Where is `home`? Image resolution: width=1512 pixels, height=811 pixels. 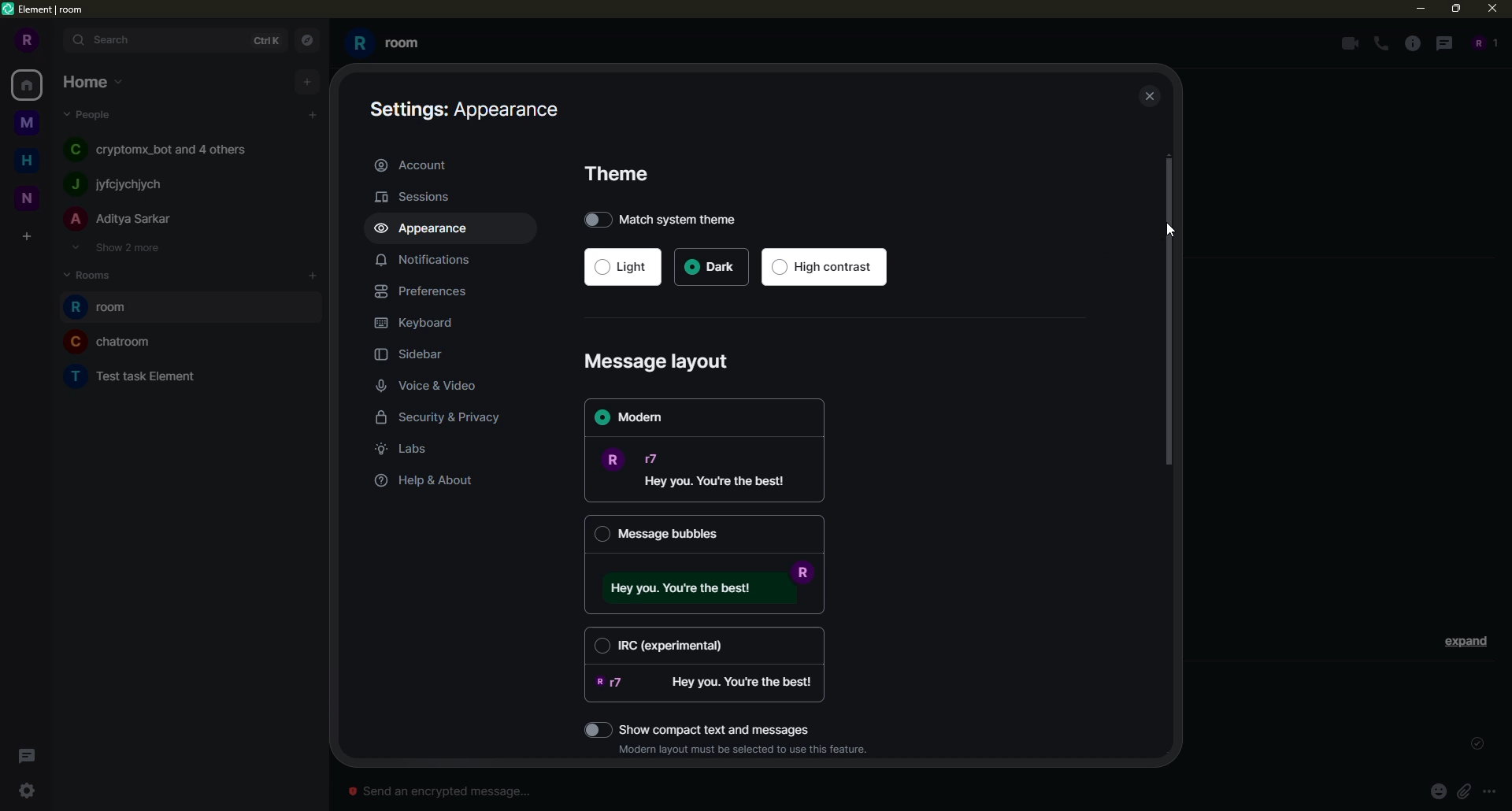
home is located at coordinates (94, 80).